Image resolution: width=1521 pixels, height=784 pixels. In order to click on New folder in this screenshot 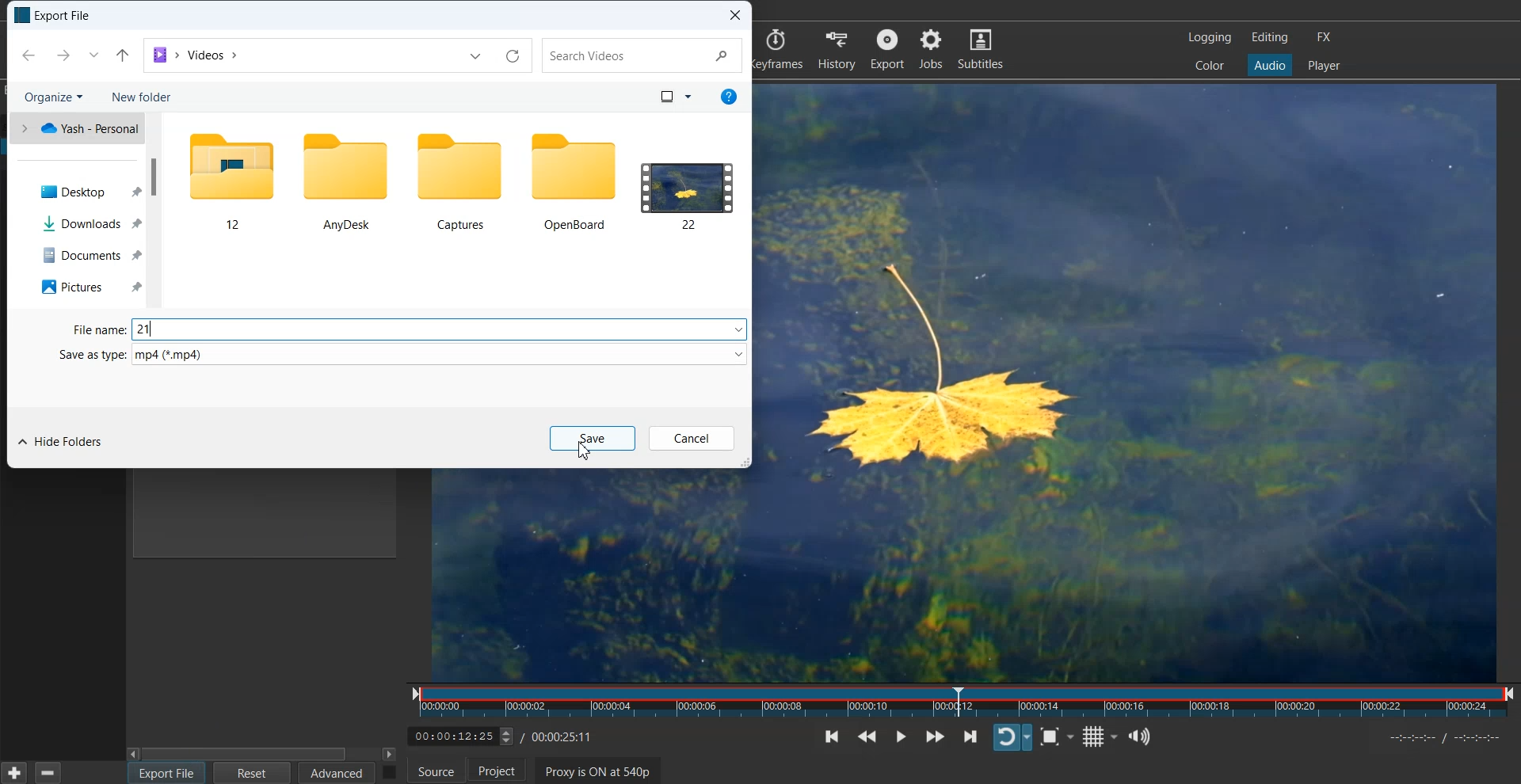, I will do `click(156, 97)`.